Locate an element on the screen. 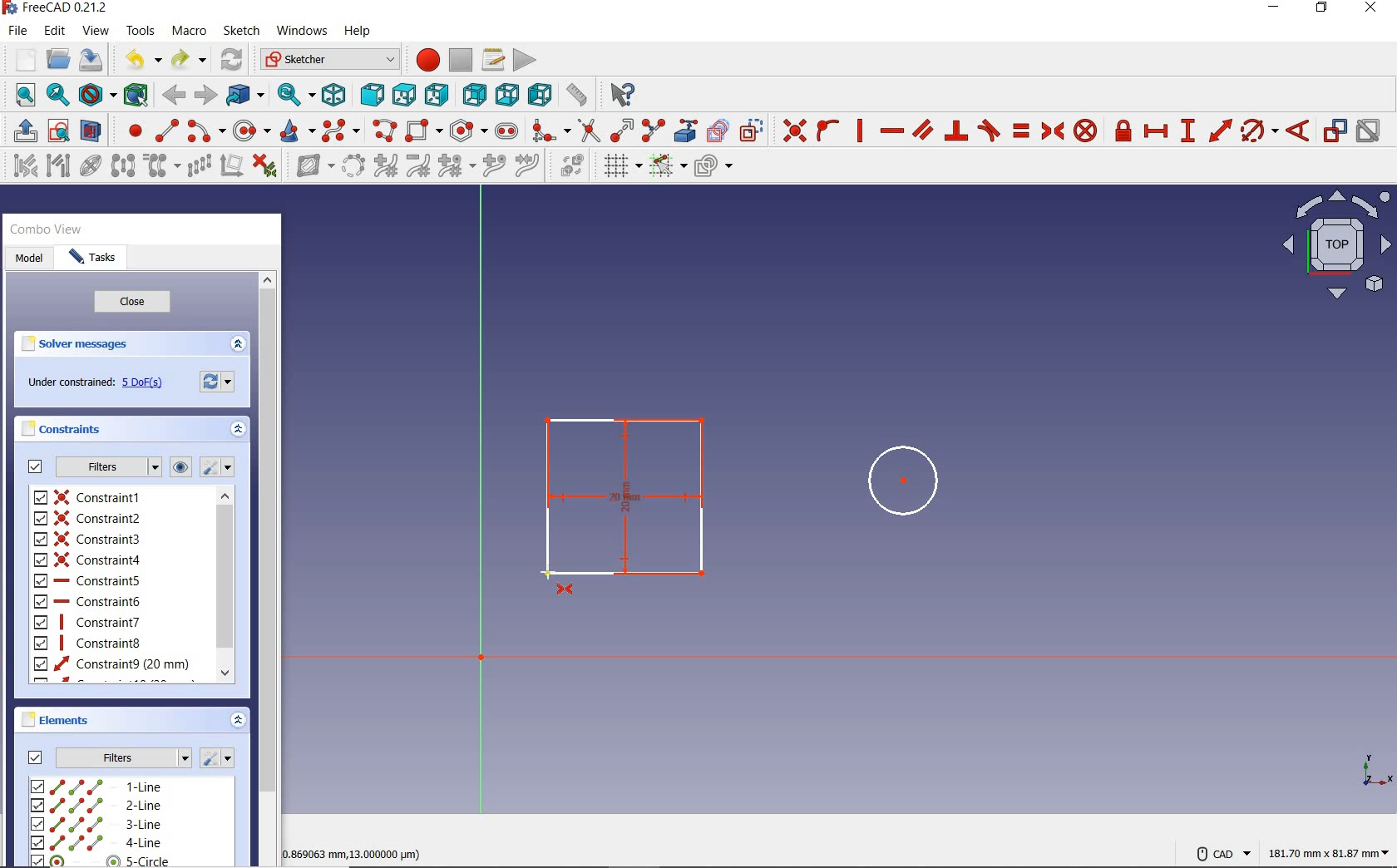 This screenshot has height=868, width=1397. go to linked object is located at coordinates (245, 94).